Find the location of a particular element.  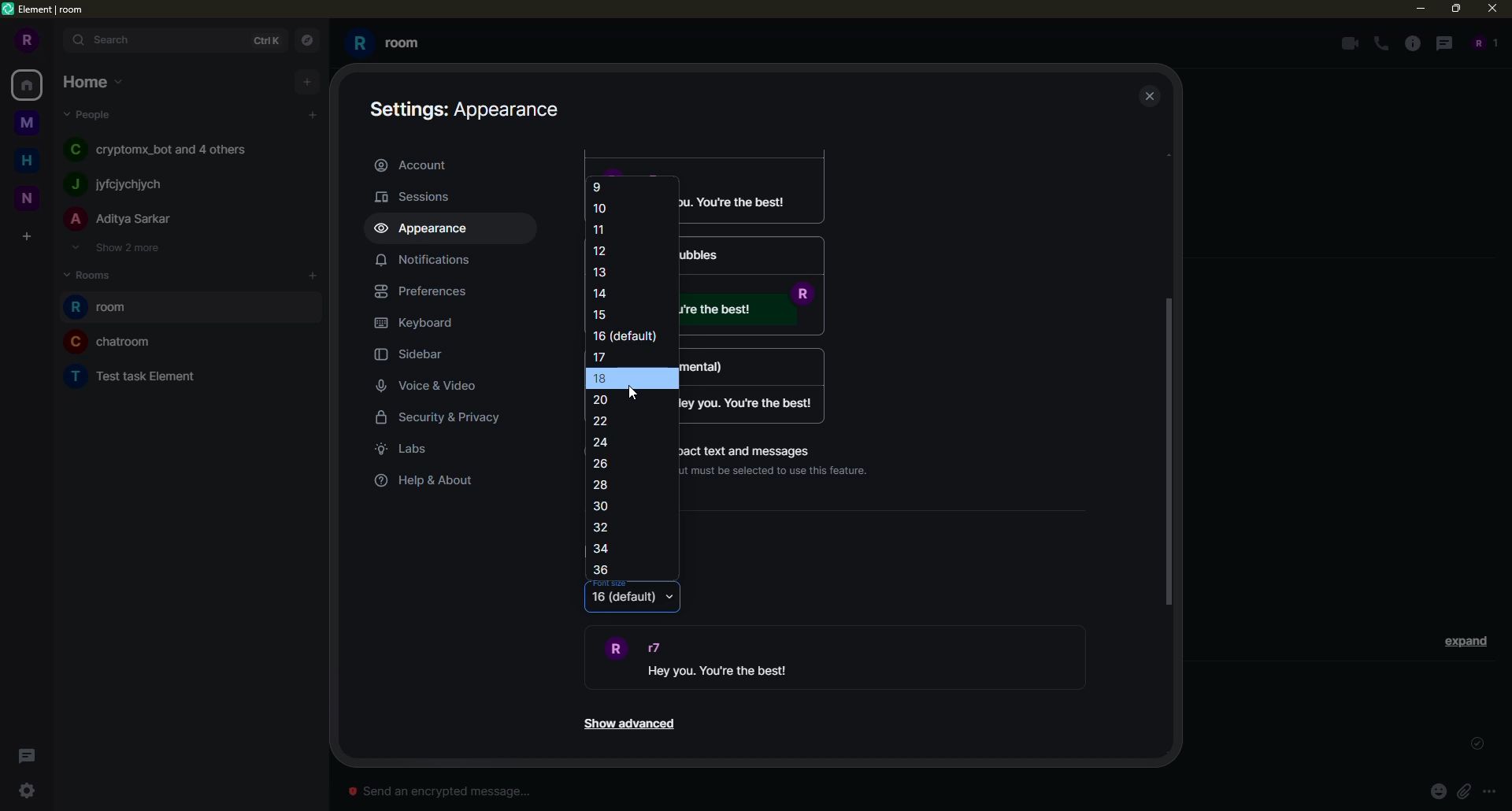

minimize is located at coordinates (1415, 8).